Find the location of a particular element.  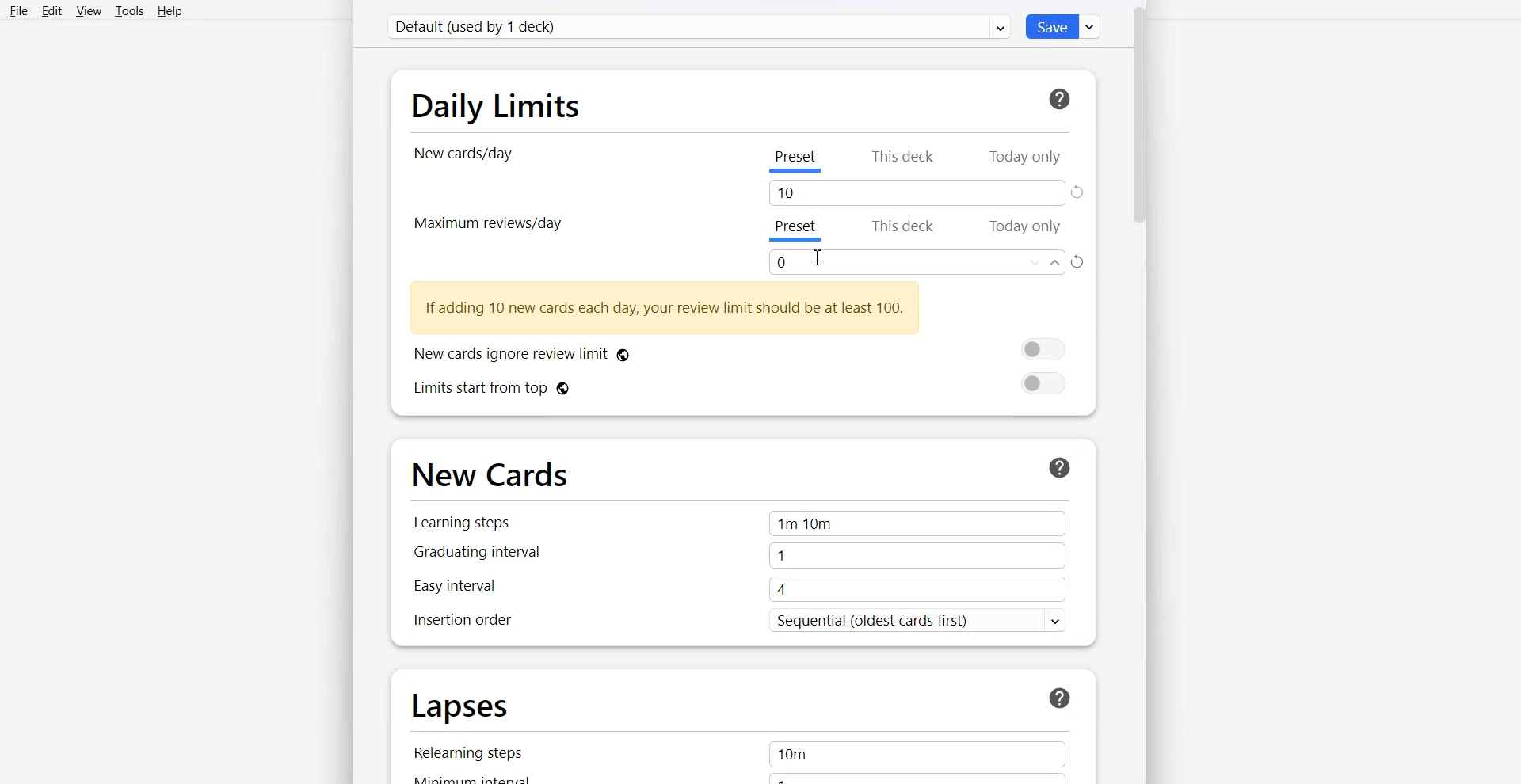

Preset is located at coordinates (795, 162).